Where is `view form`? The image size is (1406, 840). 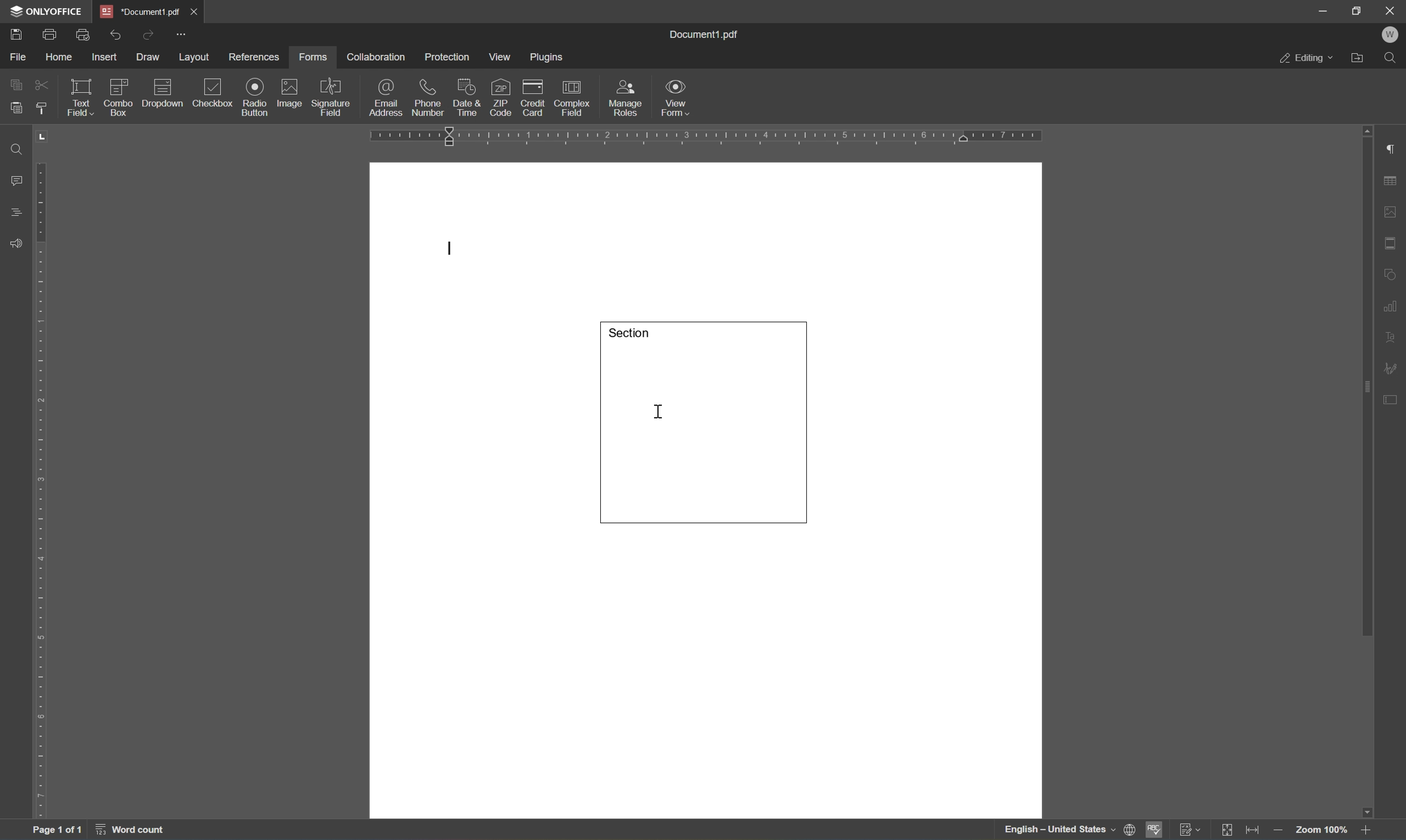
view form is located at coordinates (682, 99).